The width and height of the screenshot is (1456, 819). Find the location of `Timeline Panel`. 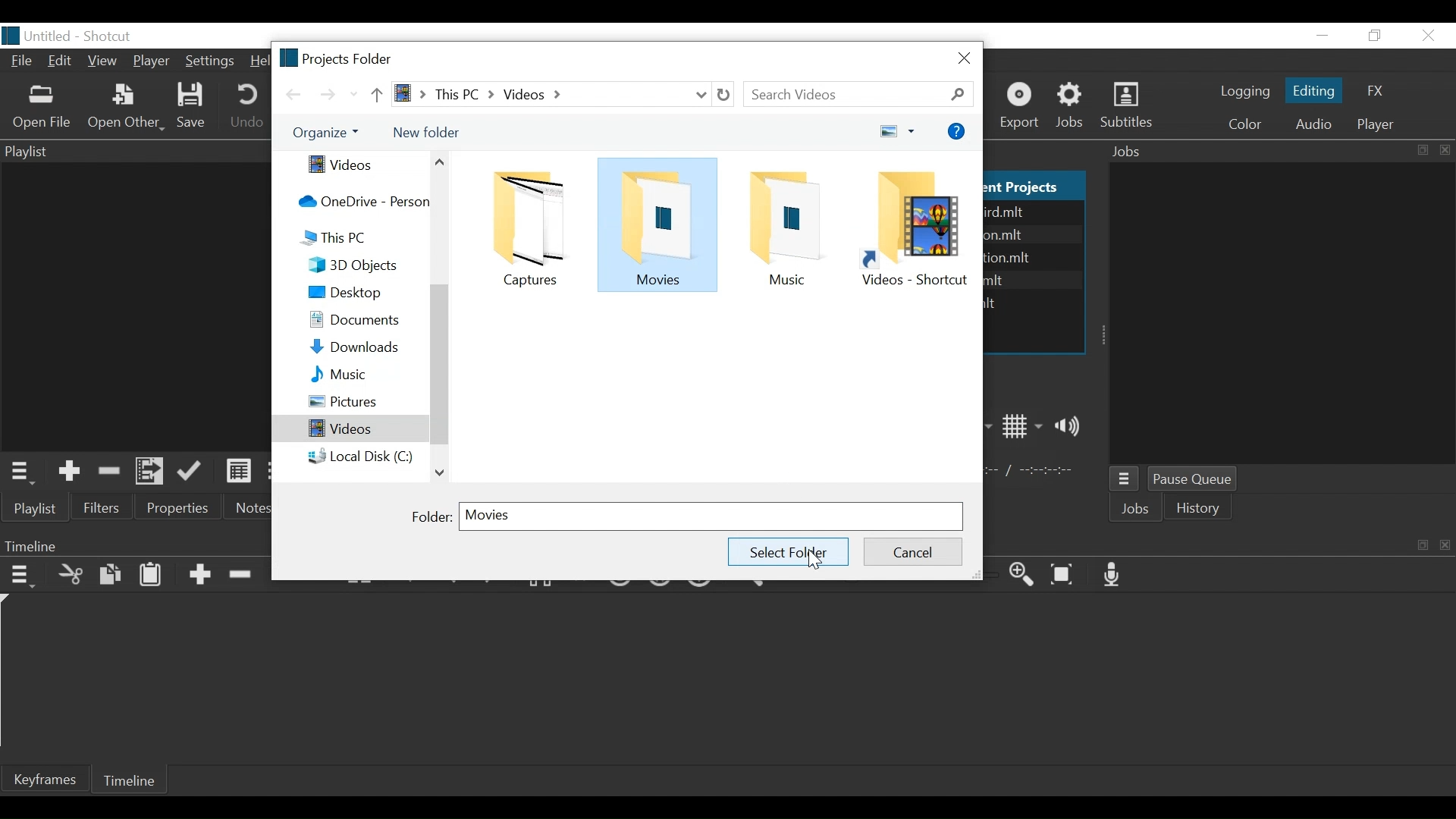

Timeline Panel is located at coordinates (134, 546).